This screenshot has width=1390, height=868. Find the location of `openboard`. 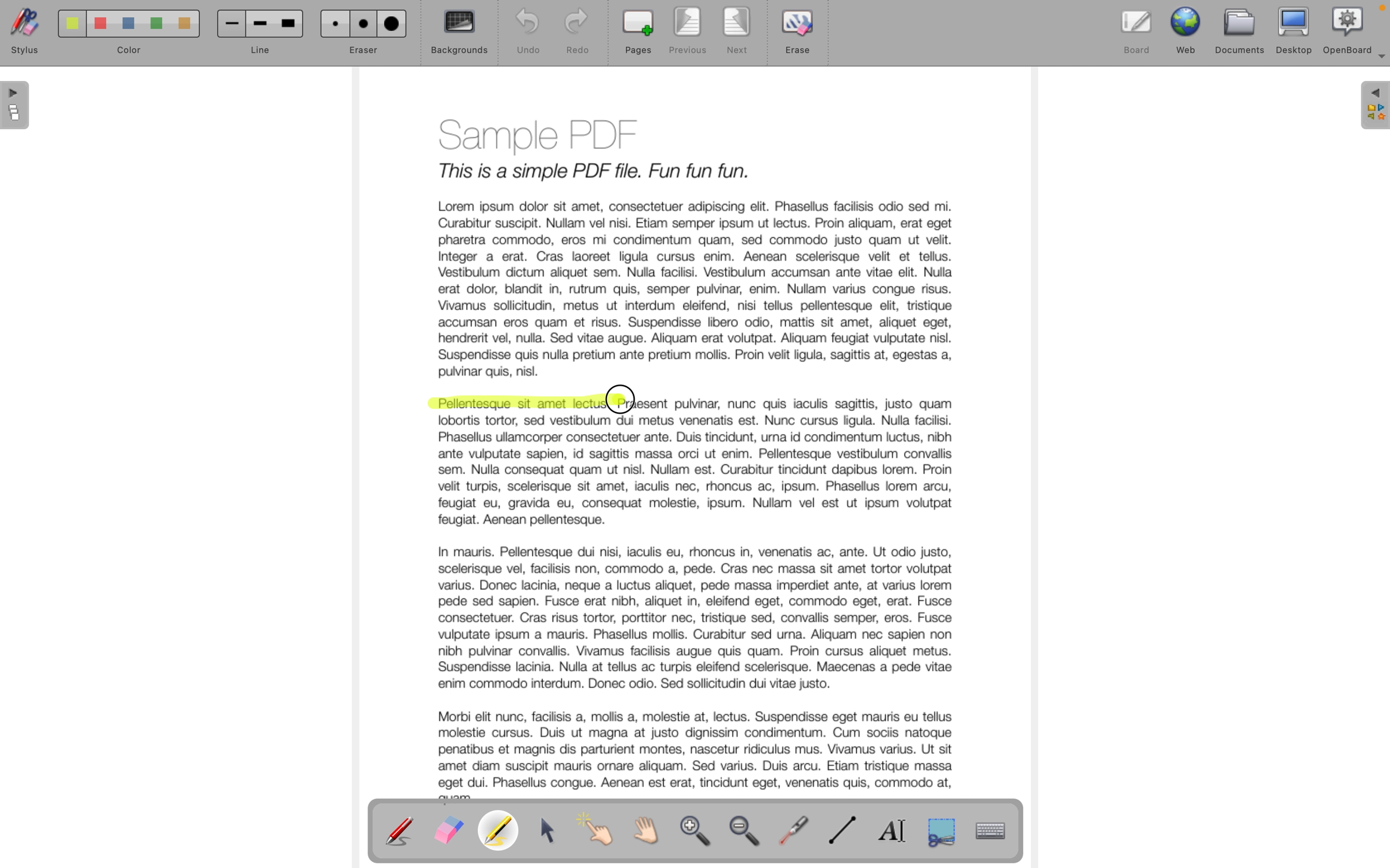

openboard is located at coordinates (1348, 29).